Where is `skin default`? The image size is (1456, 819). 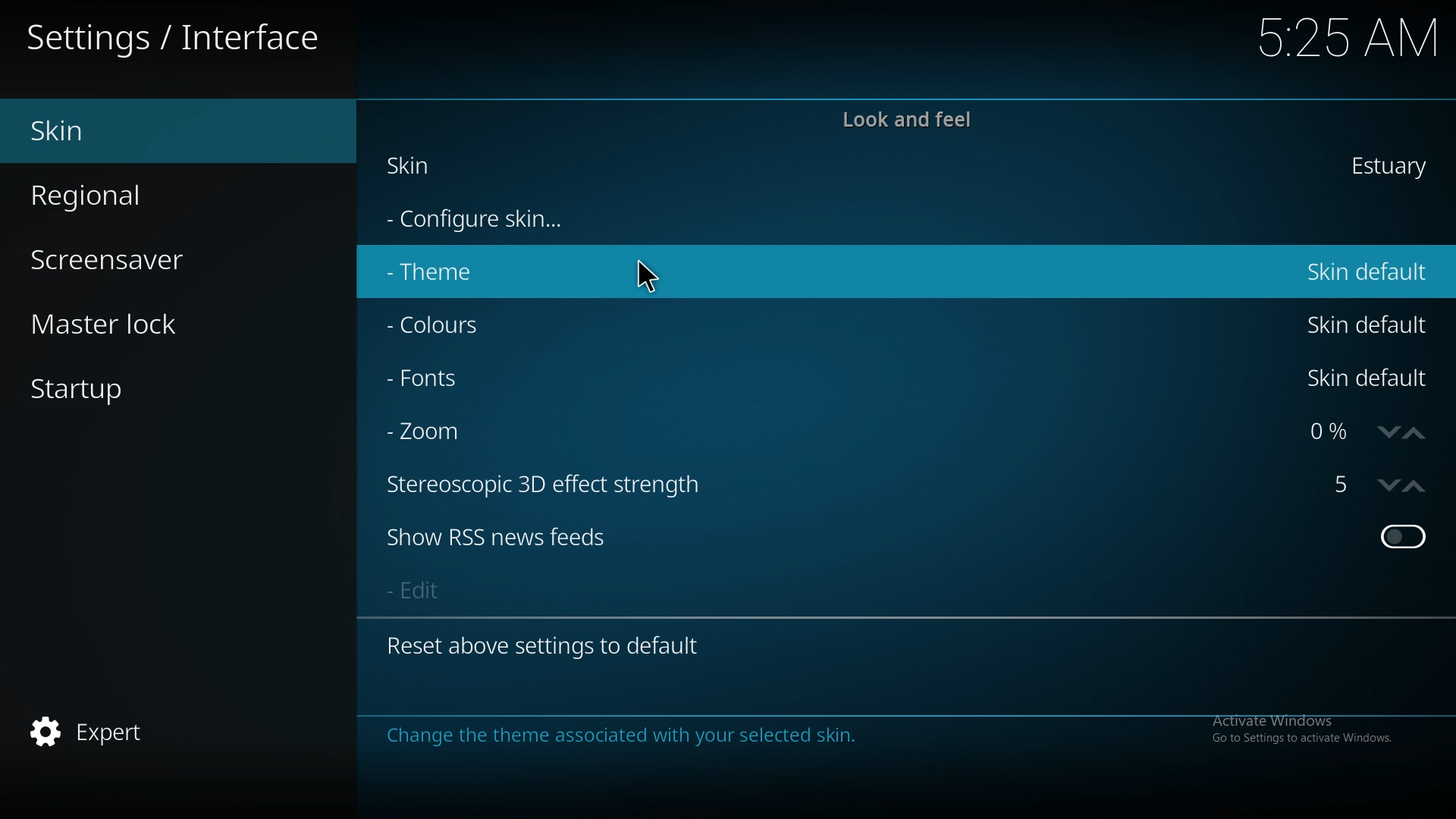
skin default is located at coordinates (1363, 325).